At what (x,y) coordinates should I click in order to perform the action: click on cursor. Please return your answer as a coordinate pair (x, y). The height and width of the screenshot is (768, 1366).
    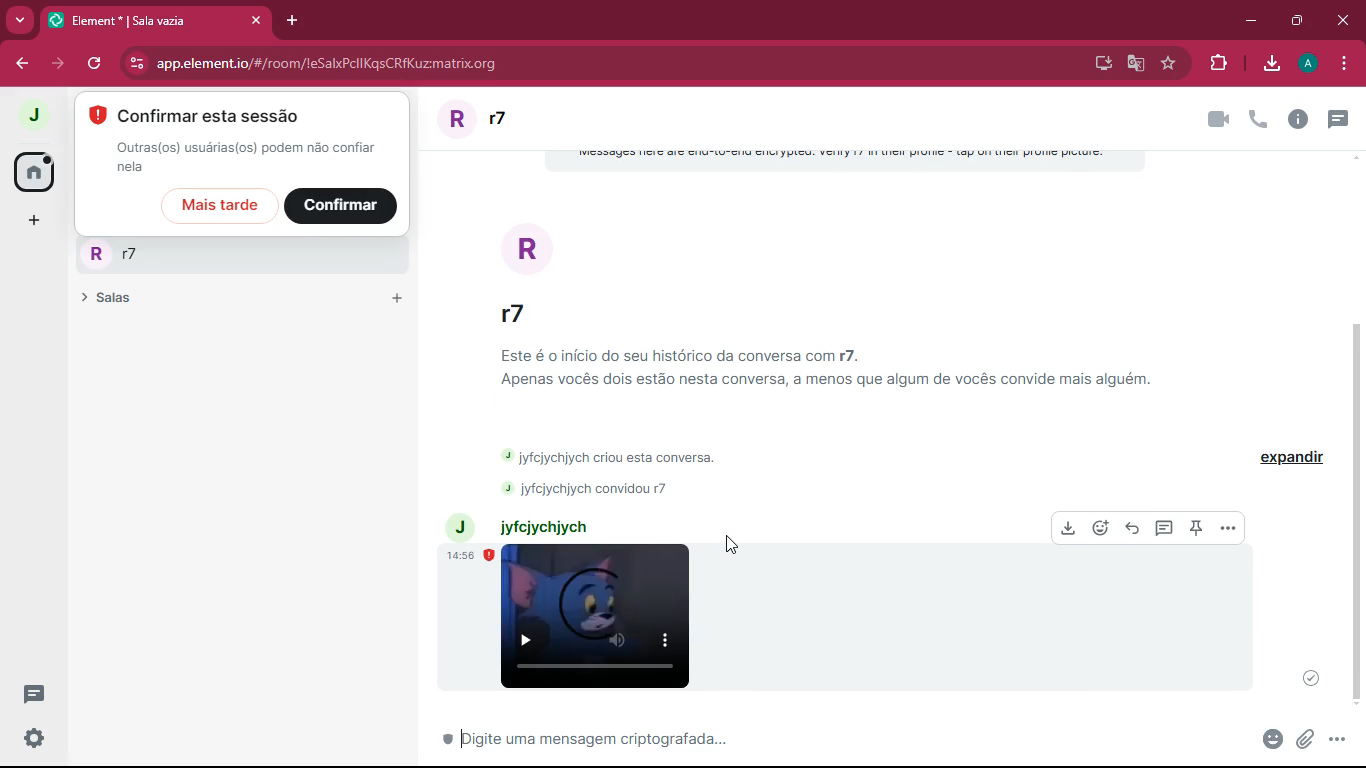
    Looking at the image, I should click on (732, 545).